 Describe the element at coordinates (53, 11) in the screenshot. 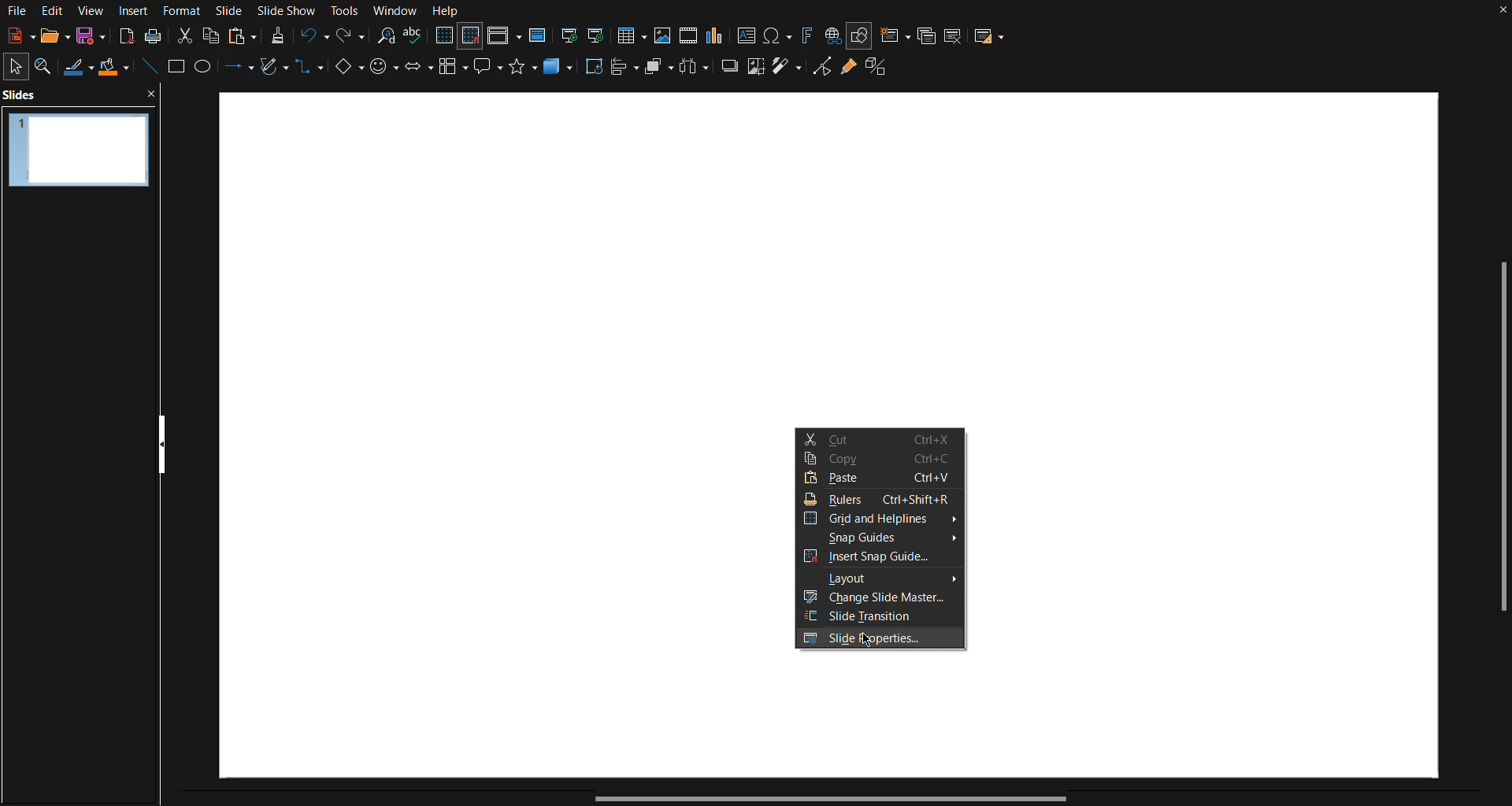

I see `Edit` at that location.